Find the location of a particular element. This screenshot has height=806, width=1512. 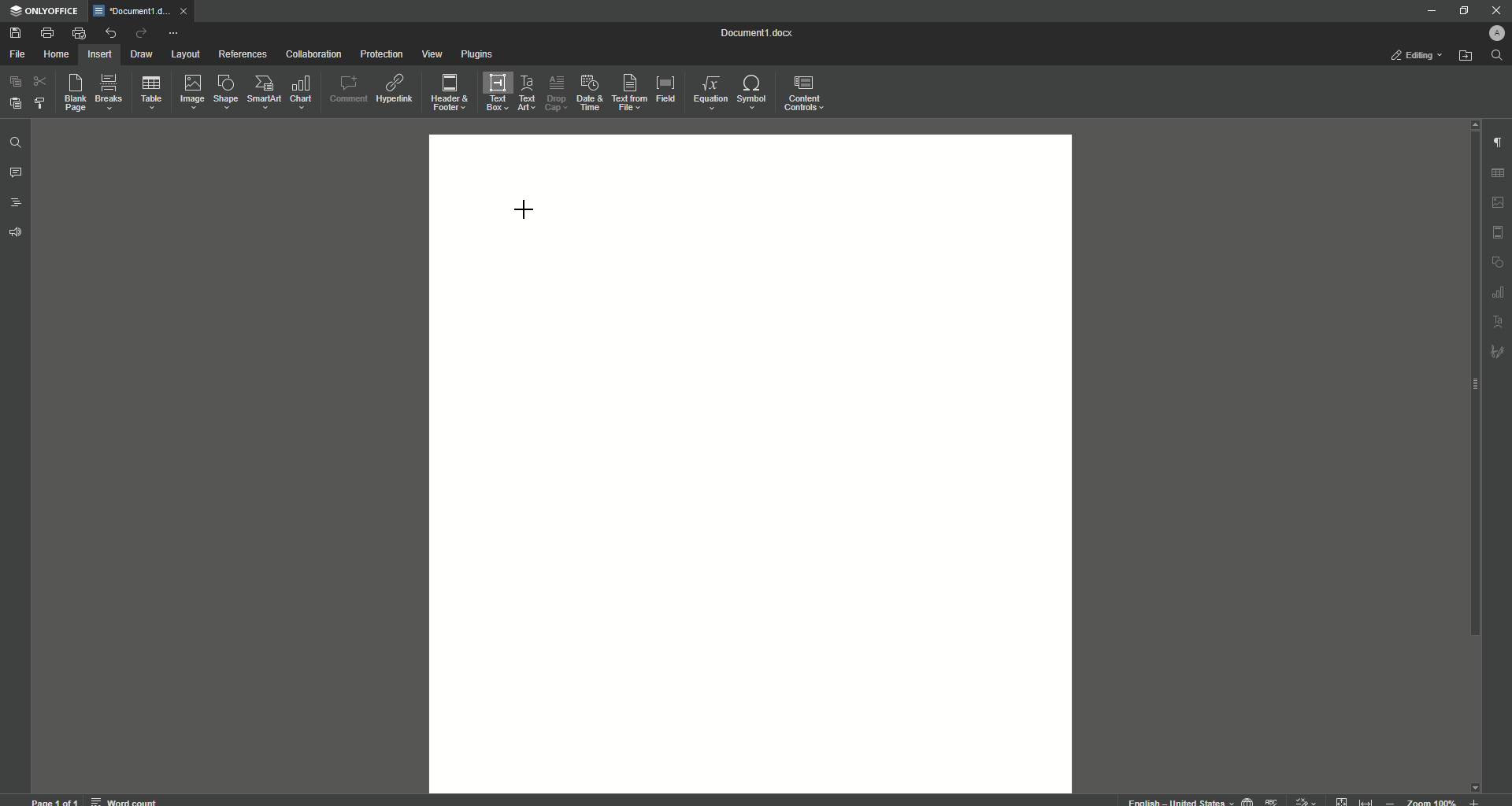

ONLYOFFICE is located at coordinates (45, 12).